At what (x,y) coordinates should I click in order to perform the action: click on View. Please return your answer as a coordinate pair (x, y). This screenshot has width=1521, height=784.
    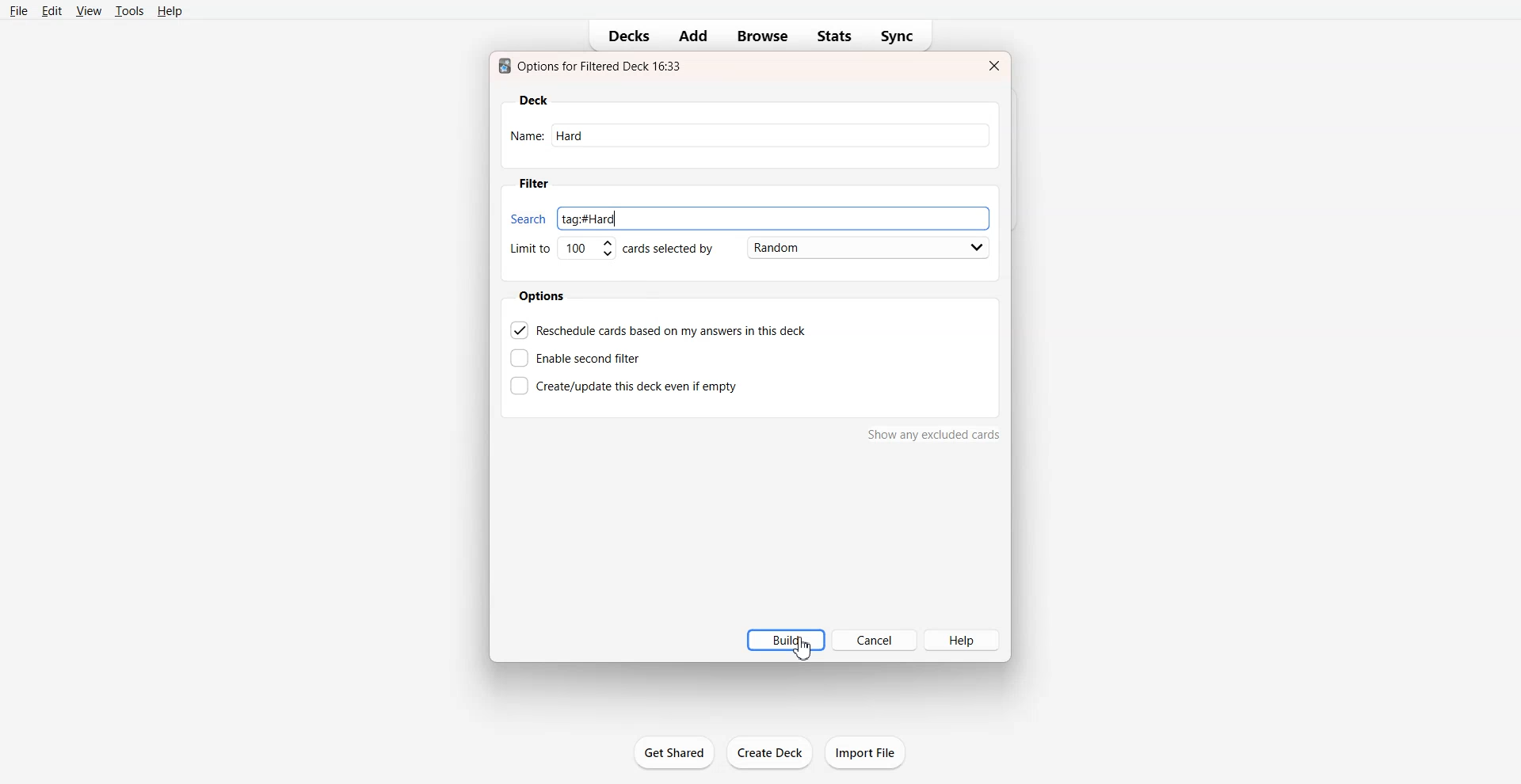
    Looking at the image, I should click on (89, 10).